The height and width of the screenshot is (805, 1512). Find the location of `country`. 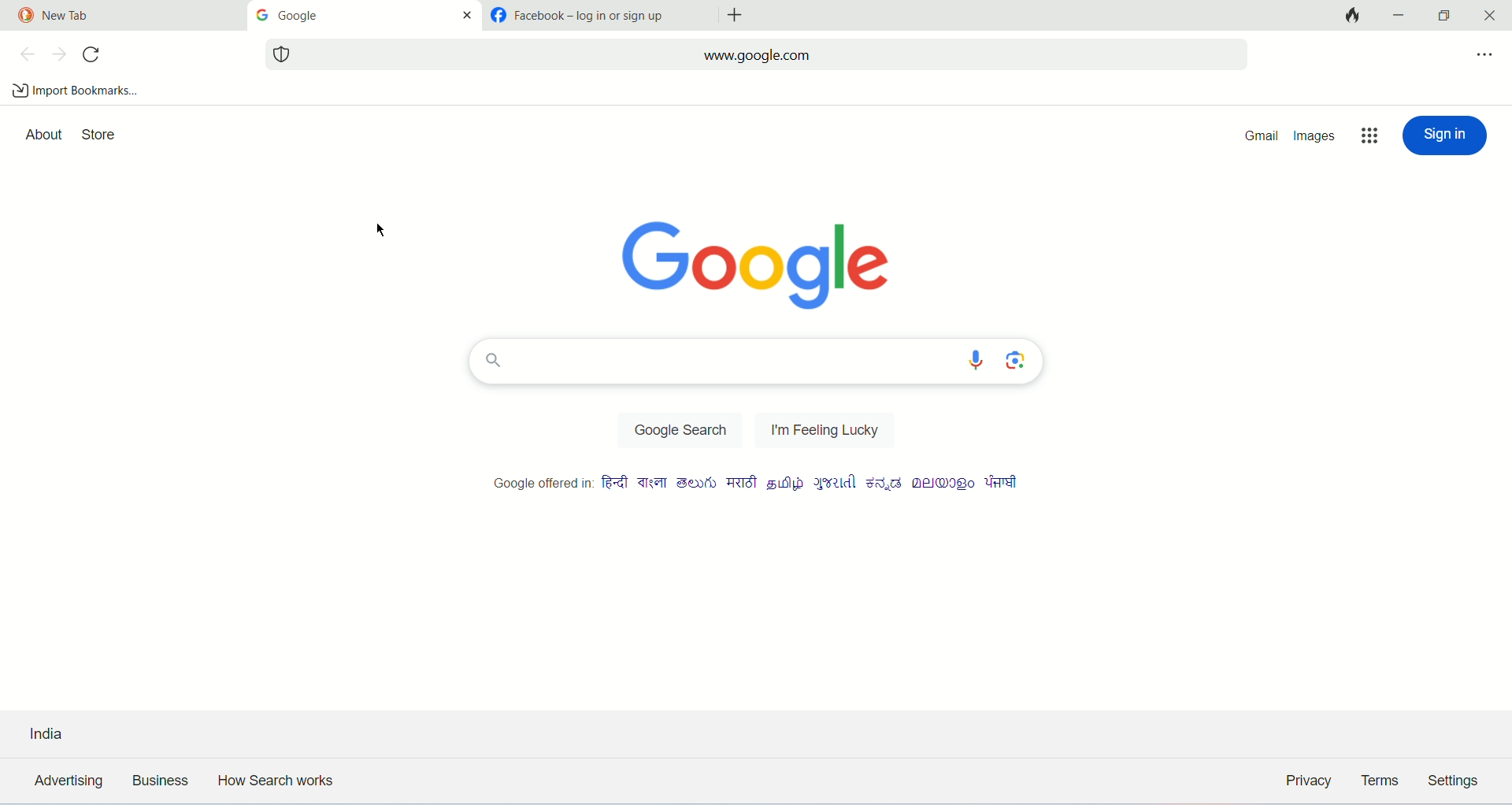

country is located at coordinates (79, 732).